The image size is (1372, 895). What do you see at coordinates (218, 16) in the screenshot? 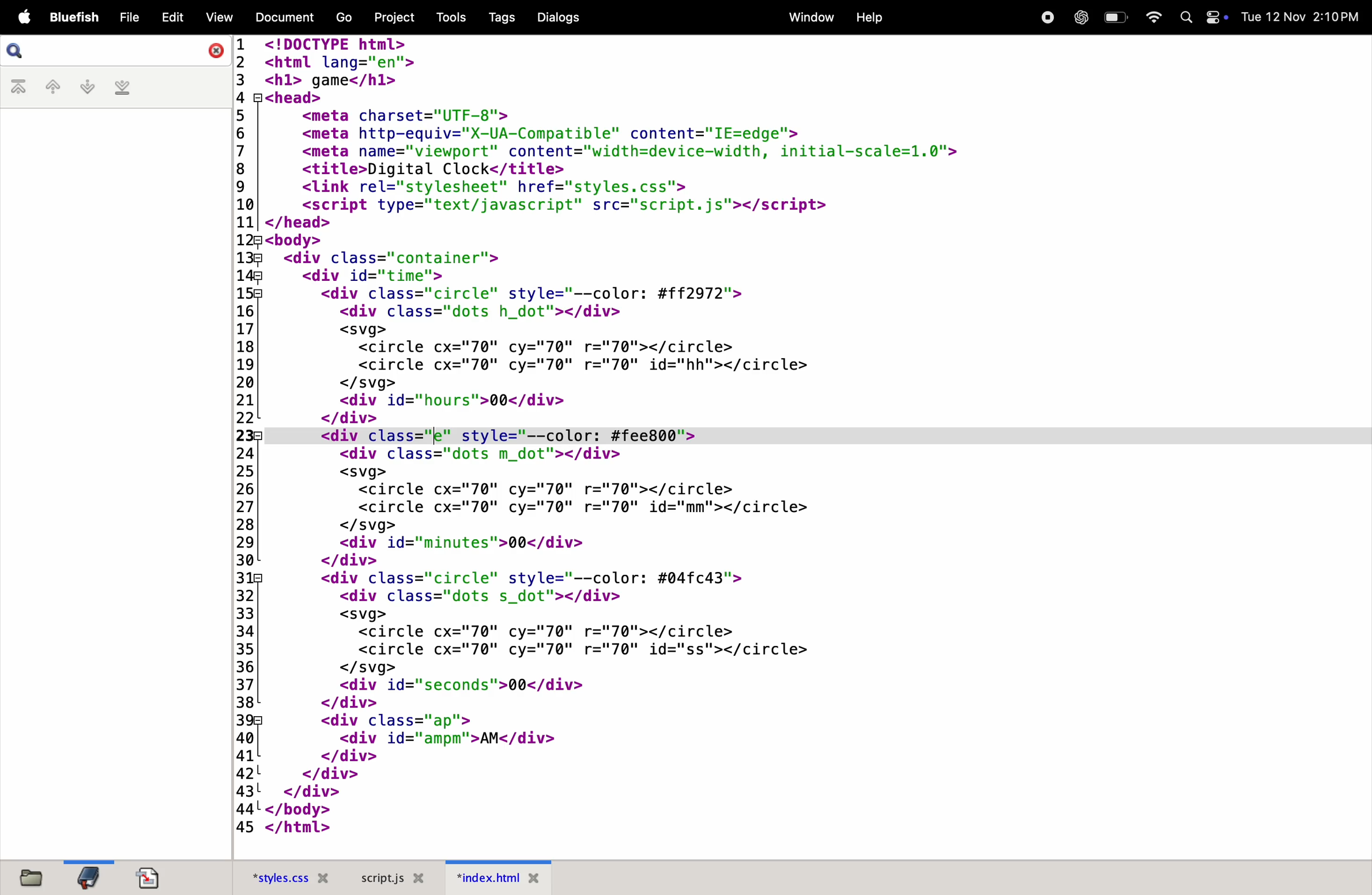
I see `view` at bounding box center [218, 16].